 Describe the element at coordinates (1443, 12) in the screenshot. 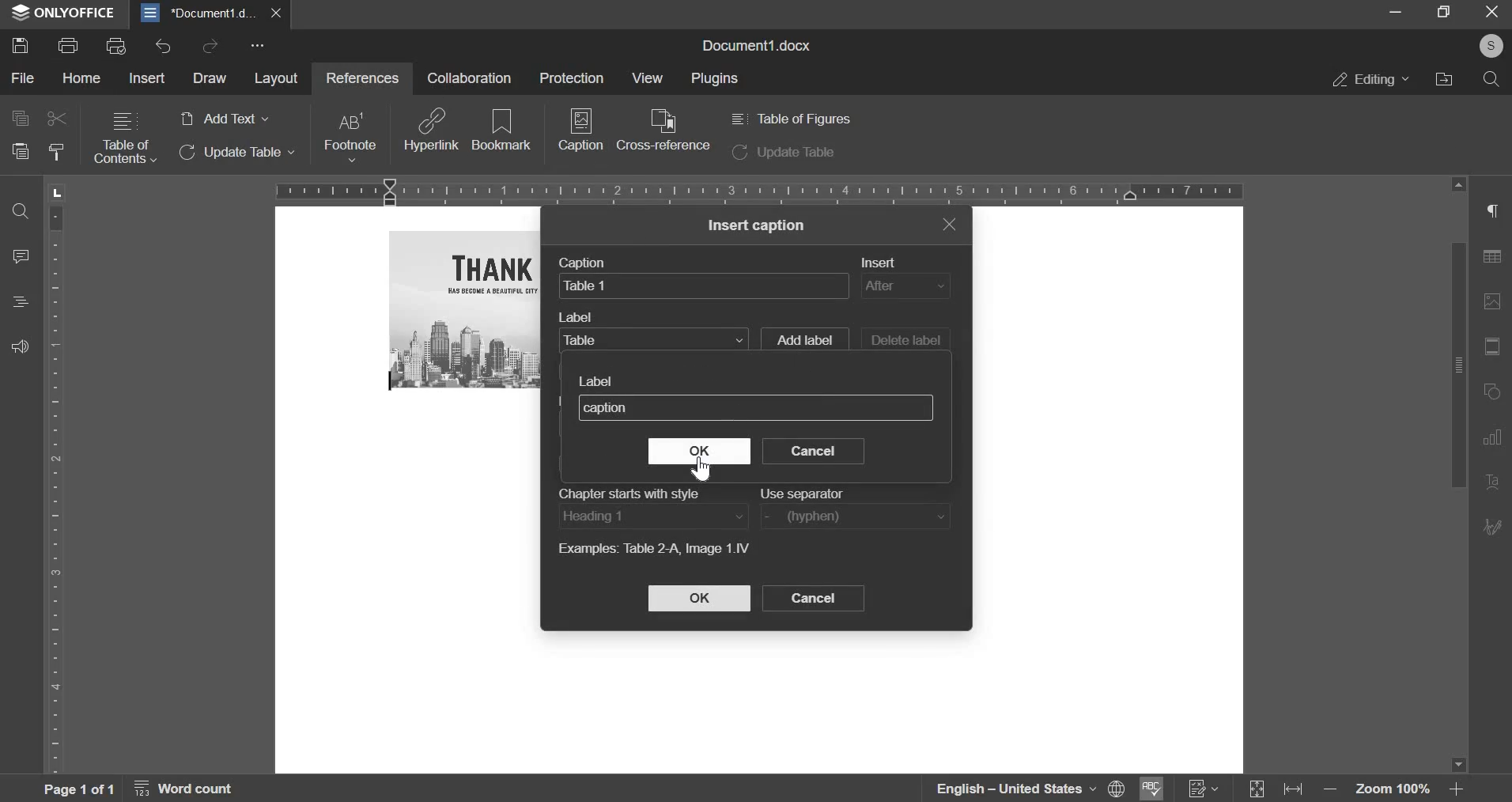

I see `fullscreen` at that location.